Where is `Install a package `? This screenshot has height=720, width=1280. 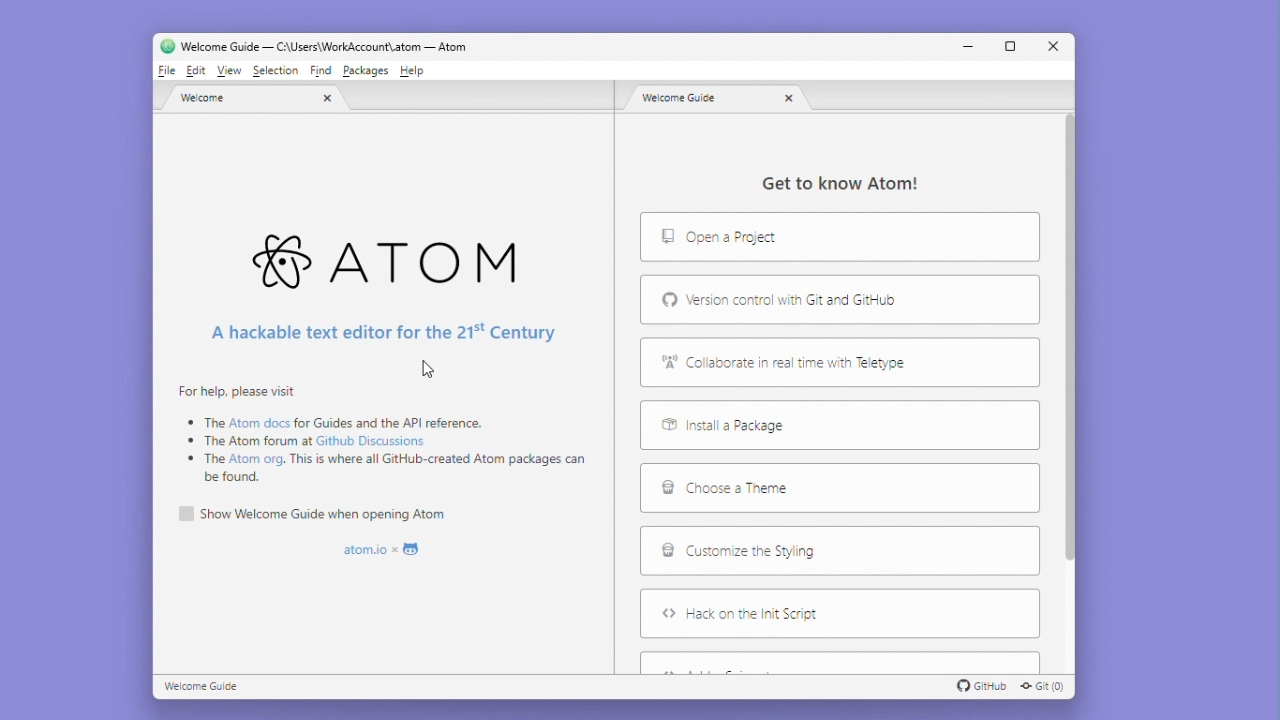
Install a package  is located at coordinates (787, 426).